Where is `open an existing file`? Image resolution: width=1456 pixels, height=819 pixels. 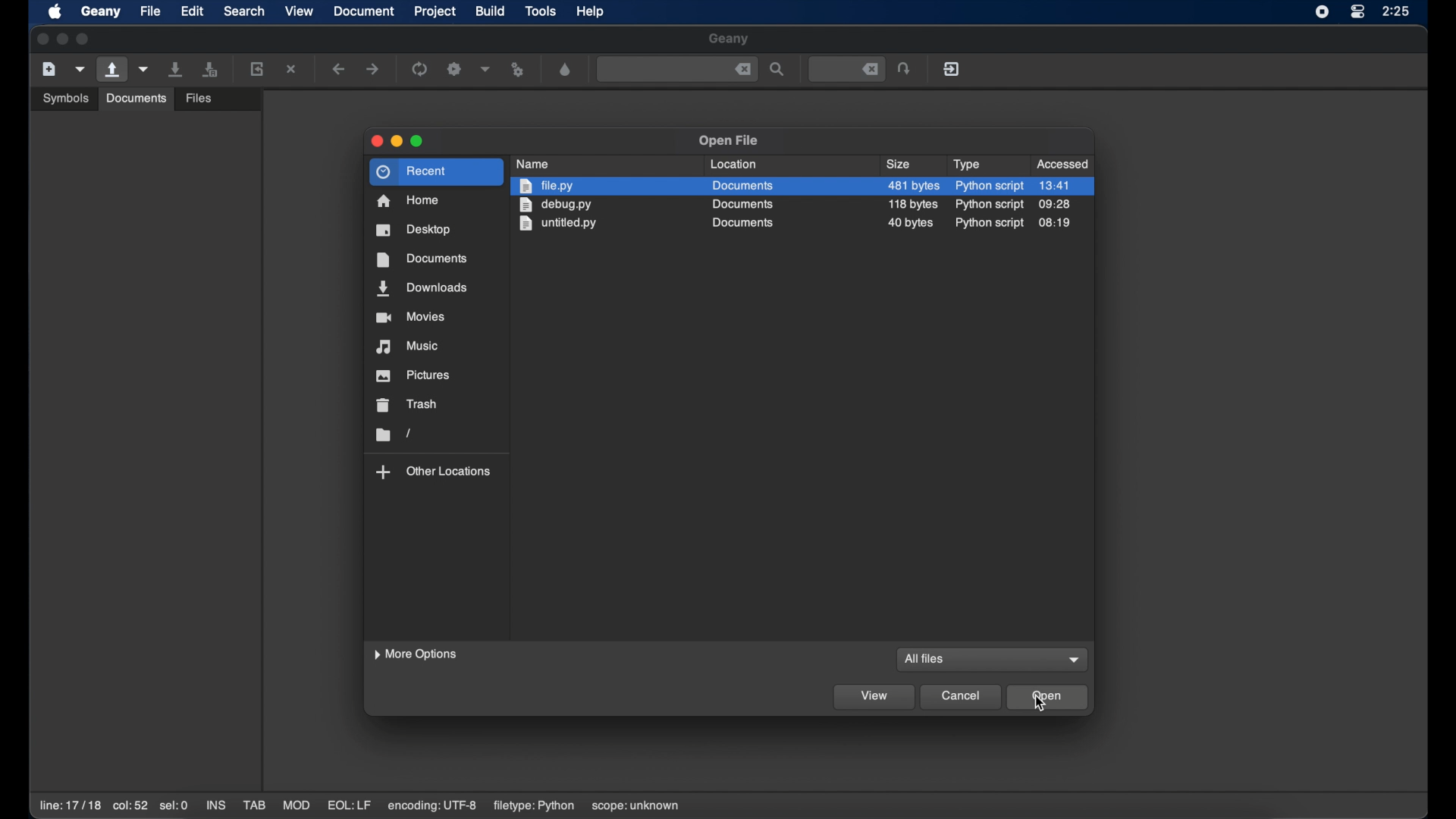
open an existing file is located at coordinates (113, 70).